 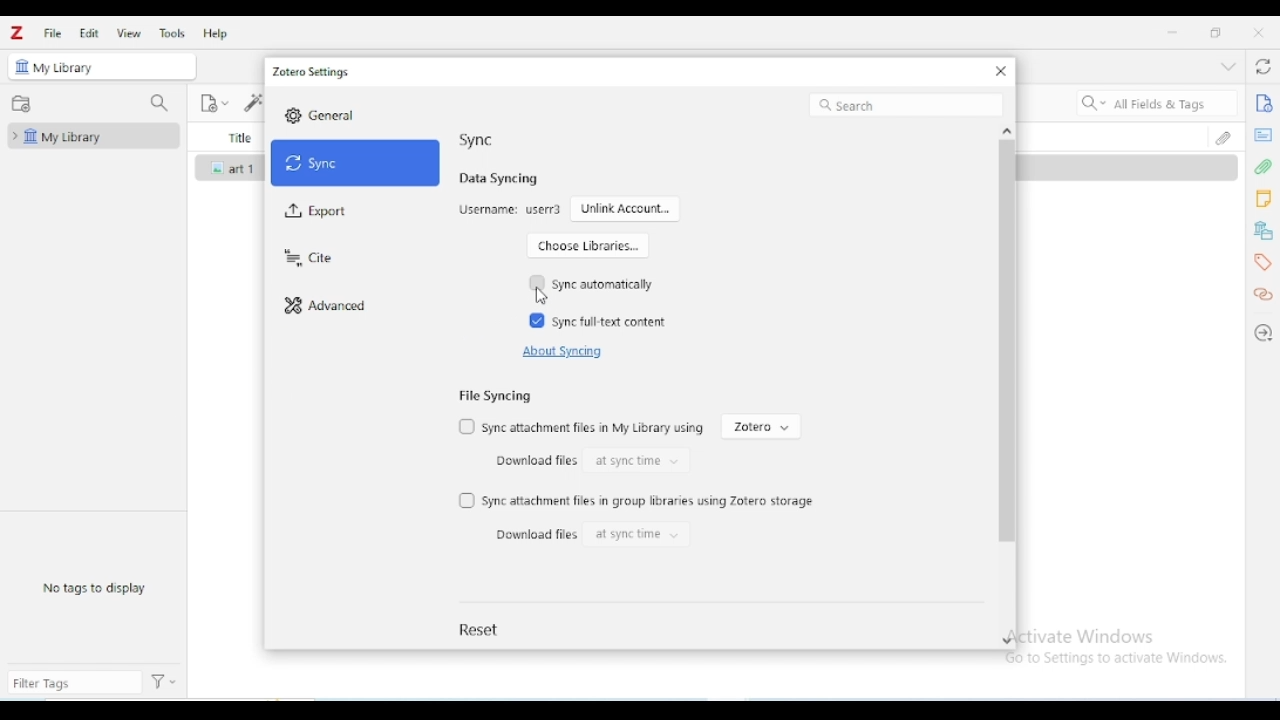 I want to click on search all fields & tags, so click(x=1155, y=103).